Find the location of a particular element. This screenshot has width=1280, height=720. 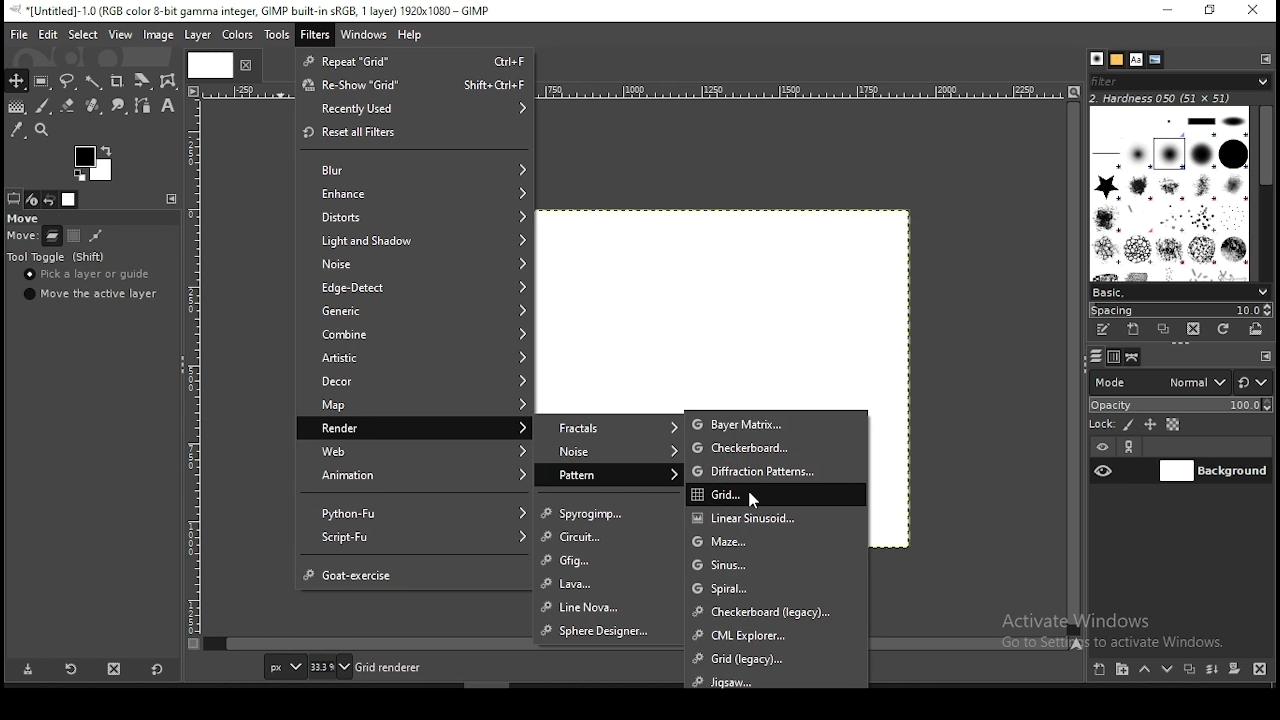

view is located at coordinates (120, 33).